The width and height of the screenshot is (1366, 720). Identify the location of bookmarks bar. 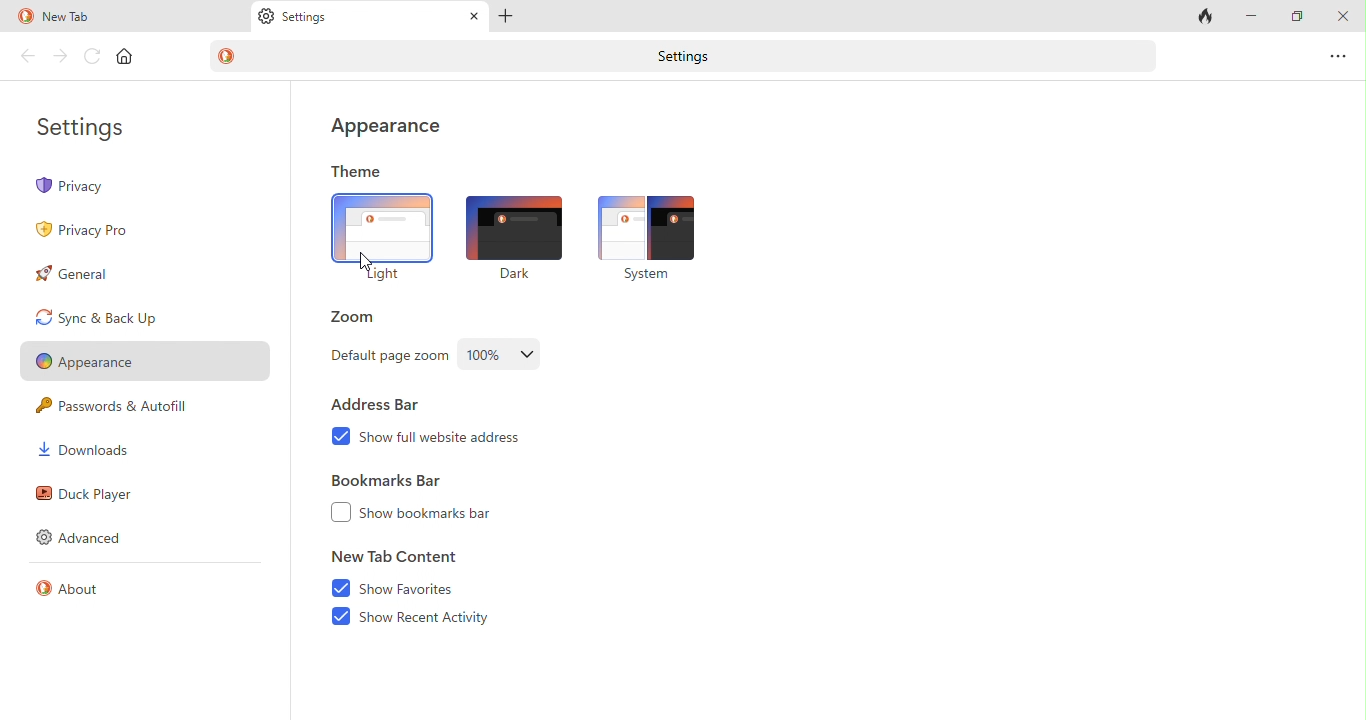
(389, 482).